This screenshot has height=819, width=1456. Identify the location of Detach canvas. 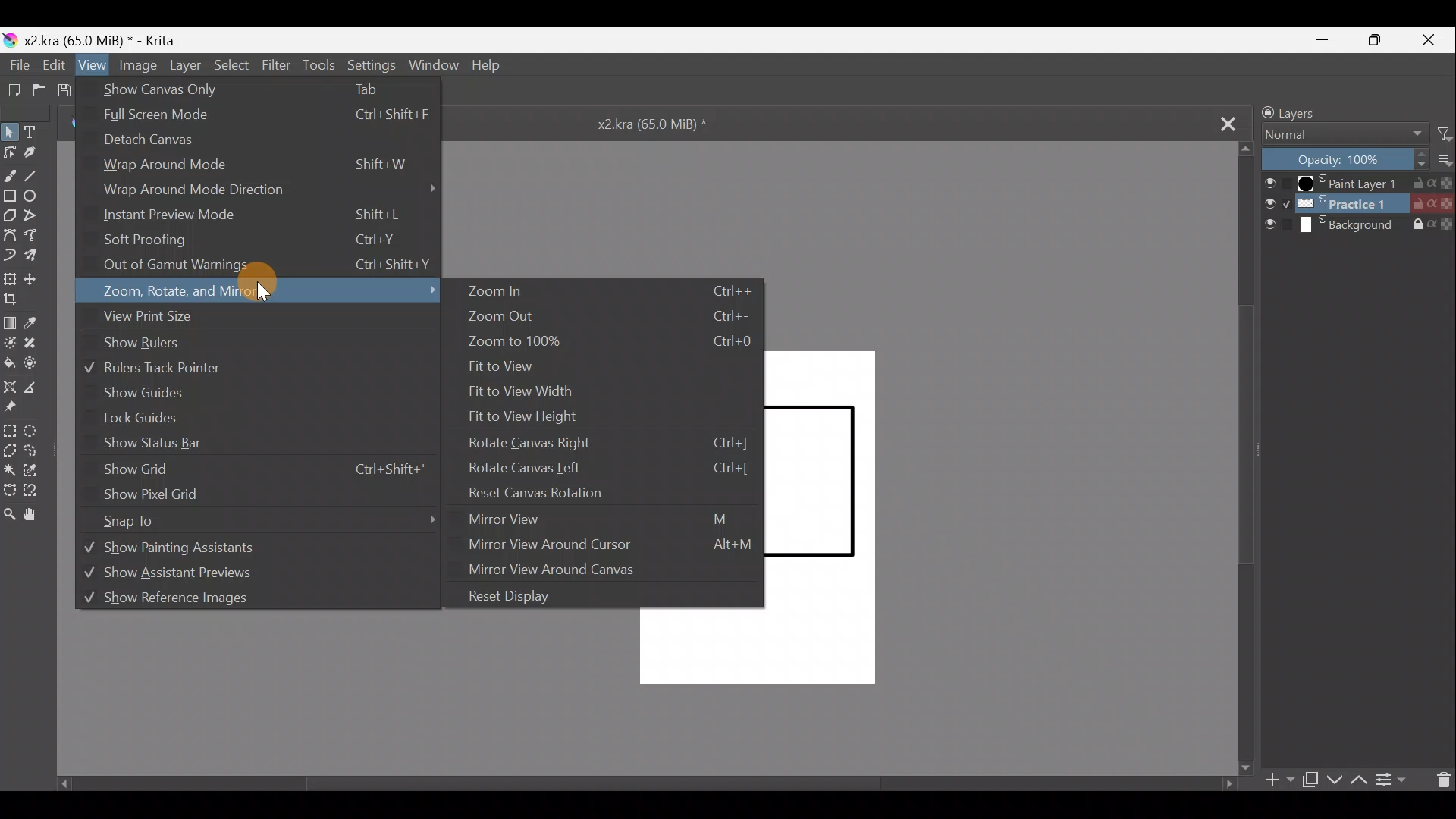
(158, 145).